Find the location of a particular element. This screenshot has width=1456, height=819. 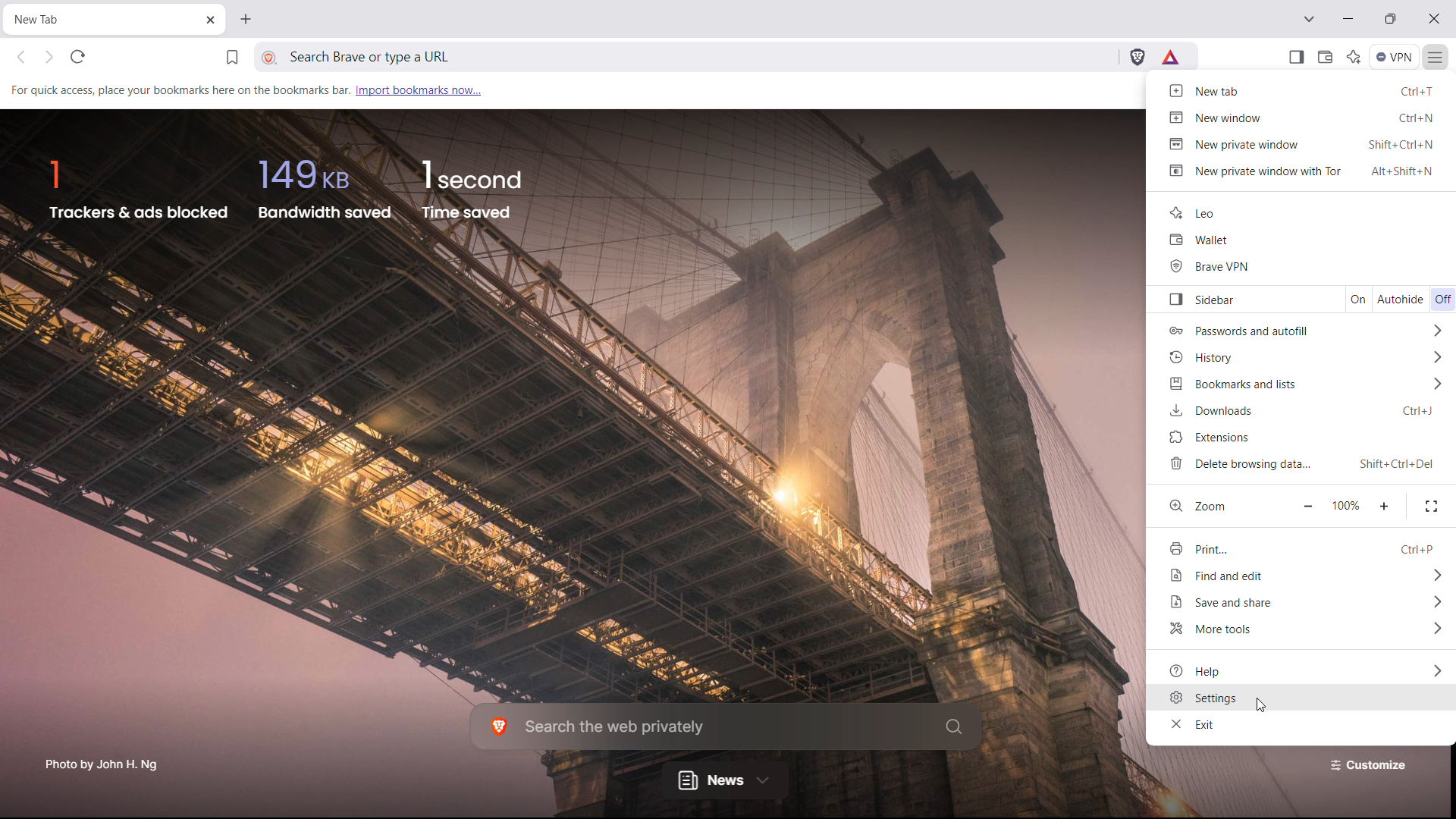

Photo by John H. Ng is located at coordinates (100, 761).